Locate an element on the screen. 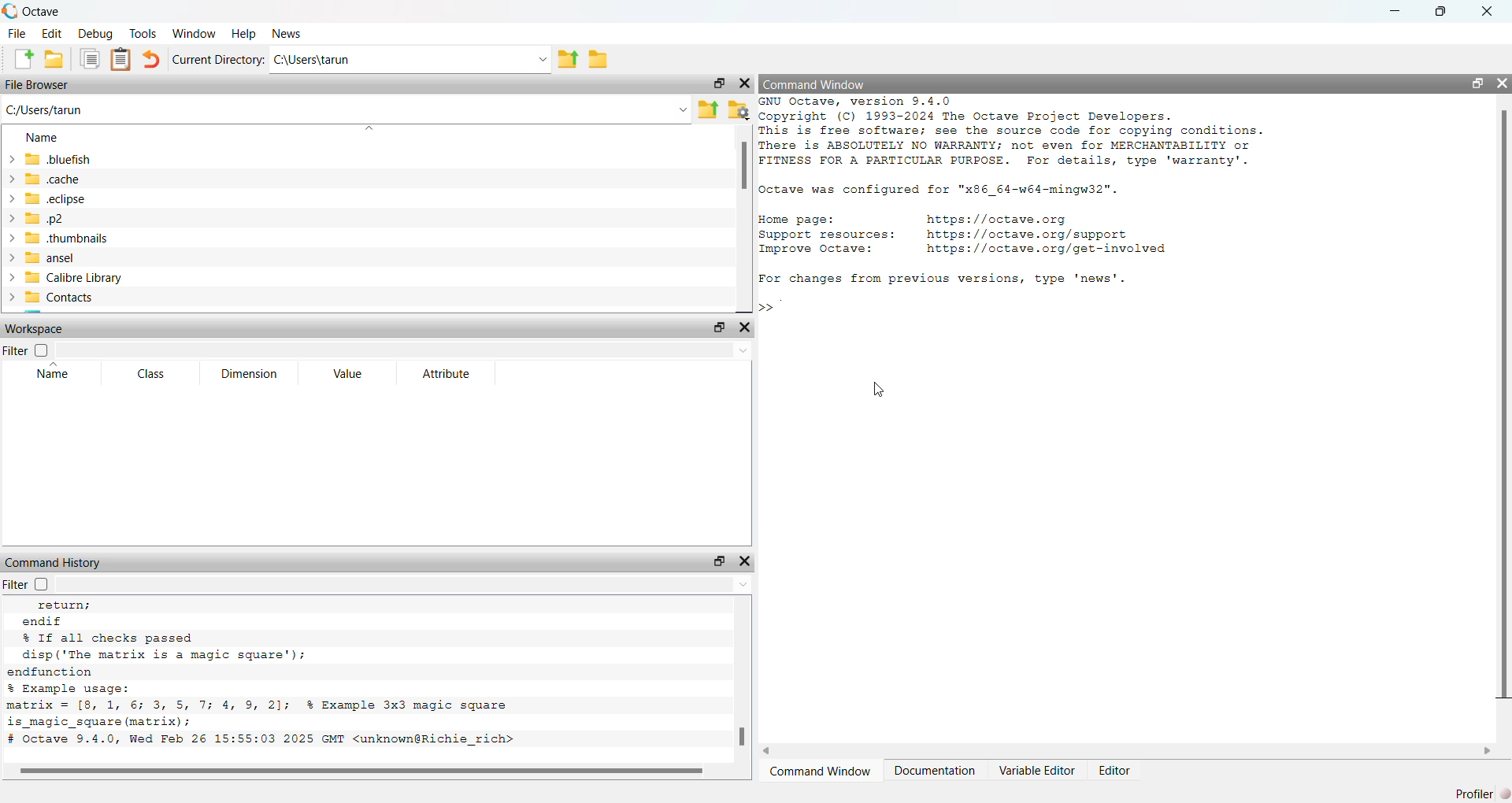 This screenshot has width=1512, height=803. maximize is located at coordinates (1477, 83).